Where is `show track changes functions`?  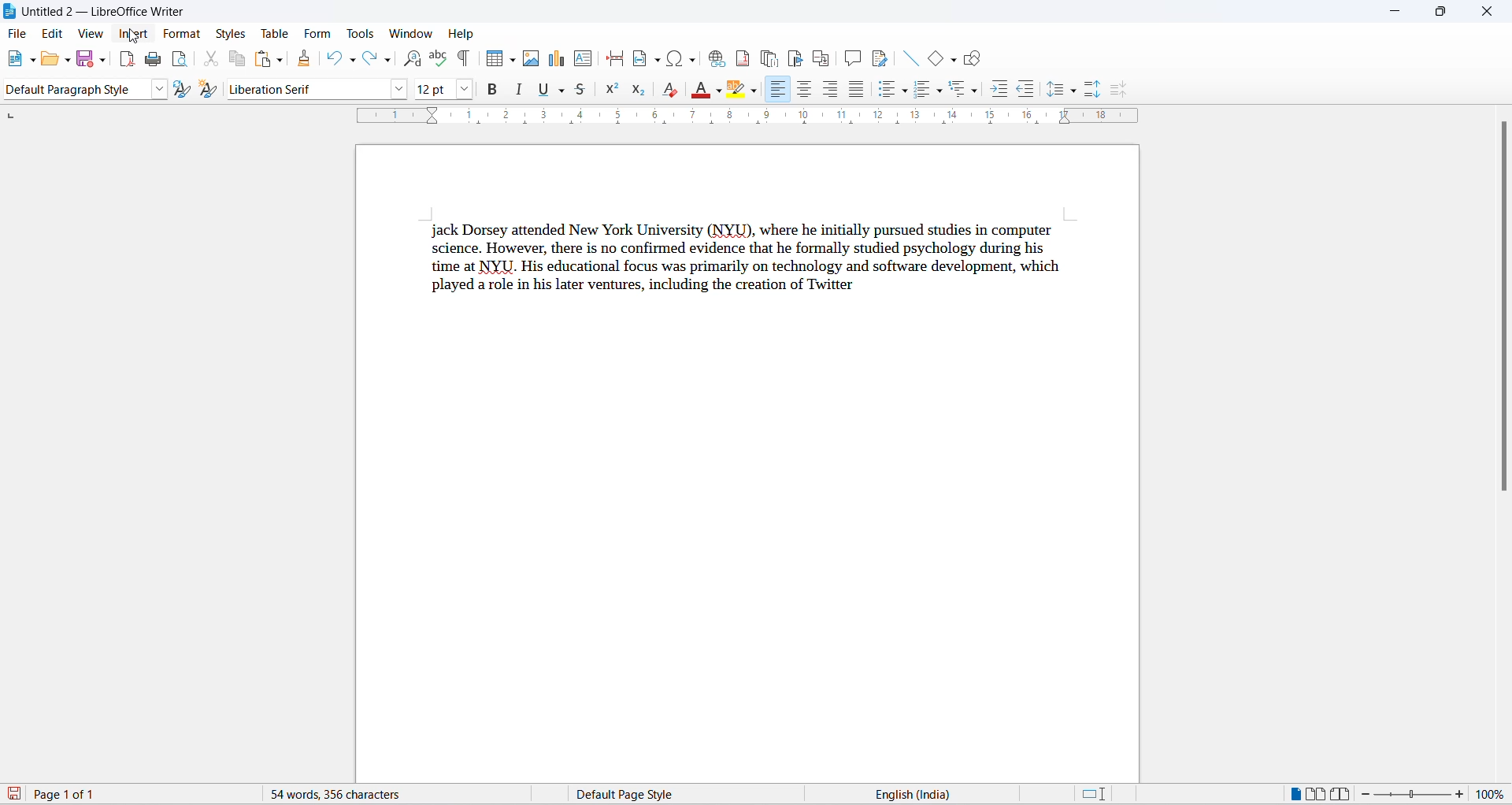
show track changes functions is located at coordinates (881, 57).